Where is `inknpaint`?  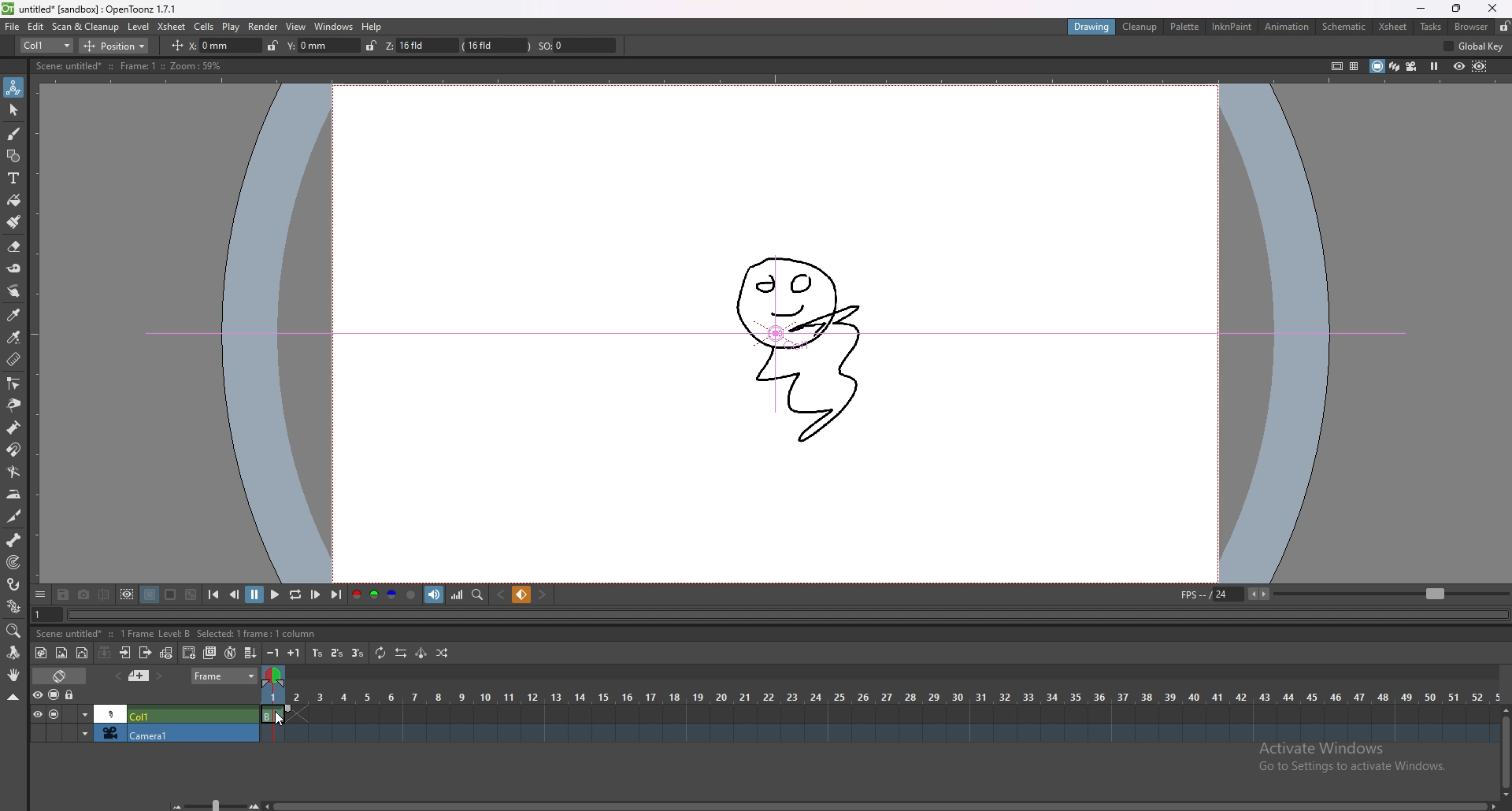 inknpaint is located at coordinates (1232, 27).